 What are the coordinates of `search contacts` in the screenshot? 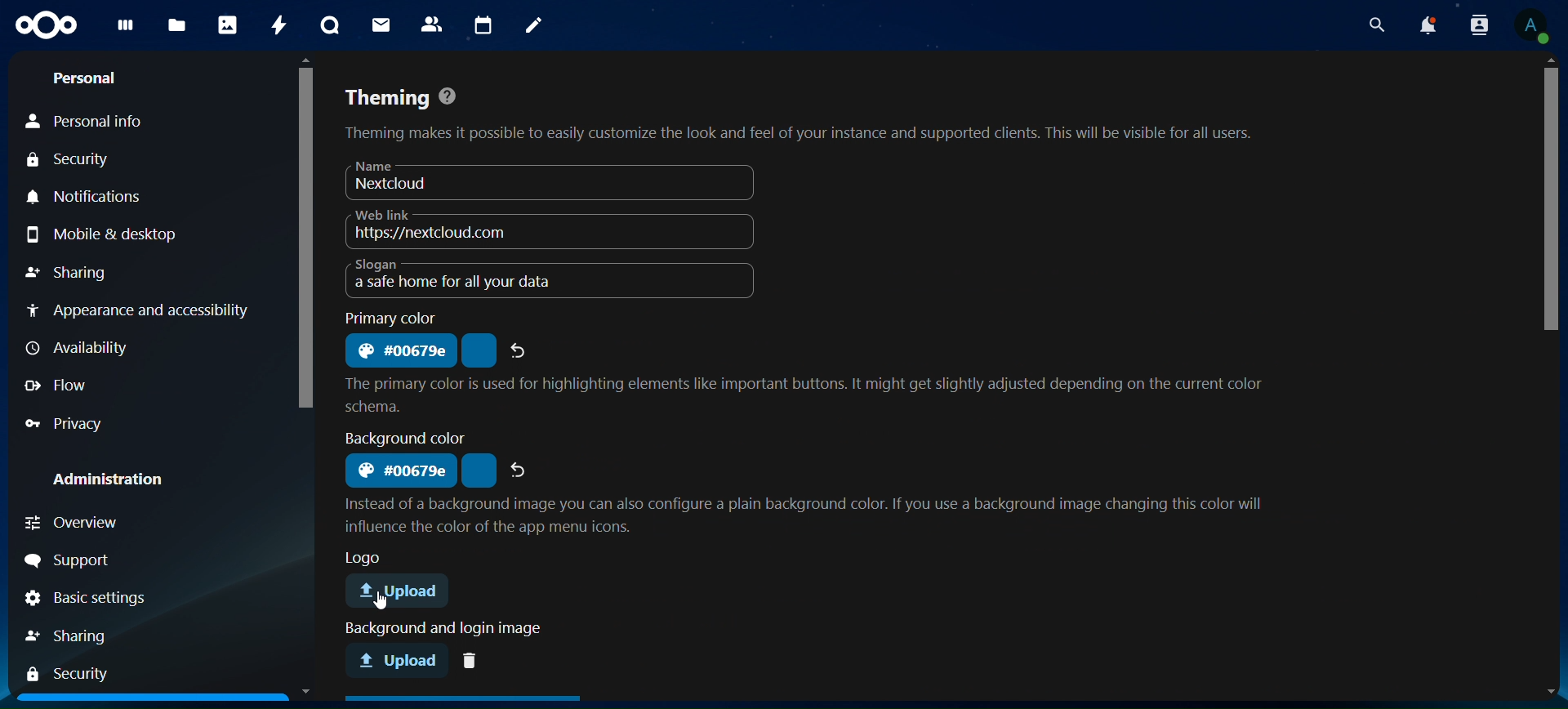 It's located at (1477, 27).